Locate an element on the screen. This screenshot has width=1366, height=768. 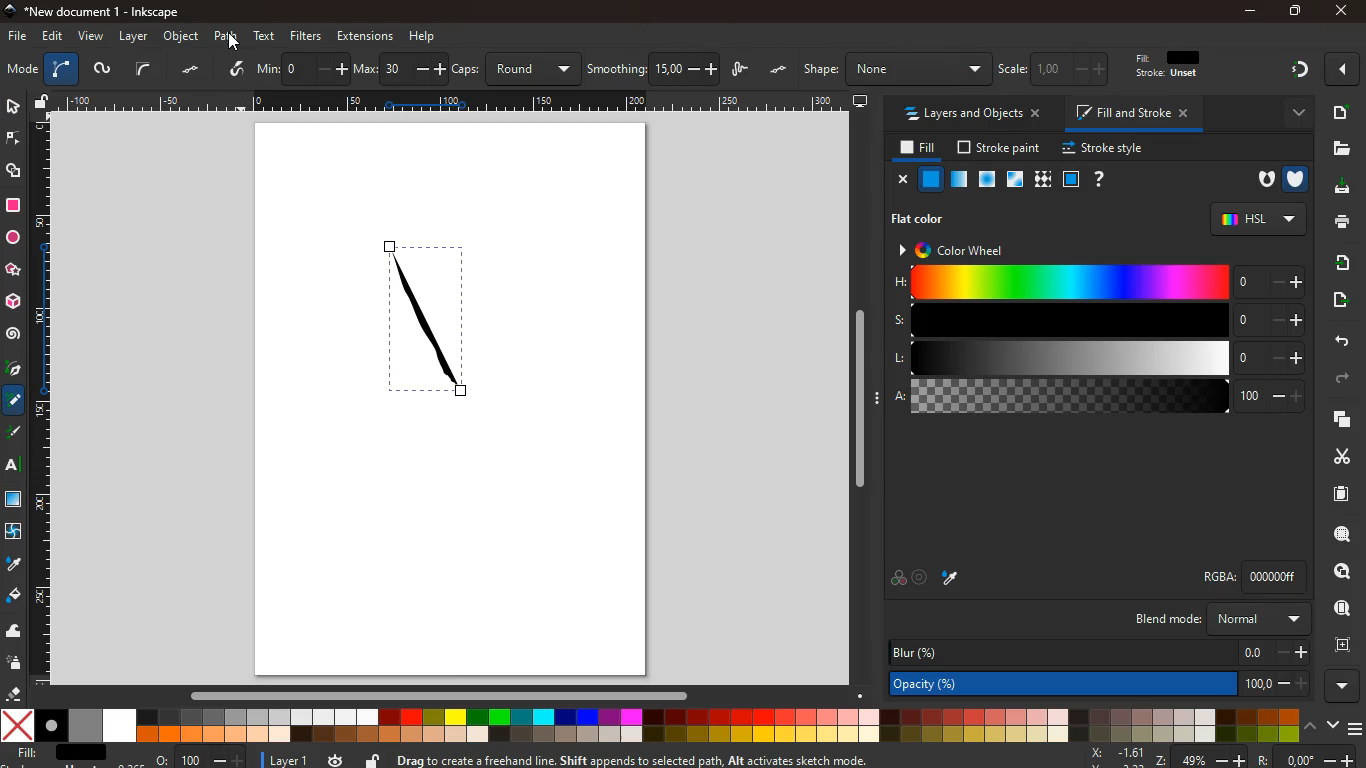
more is located at coordinates (1294, 114).